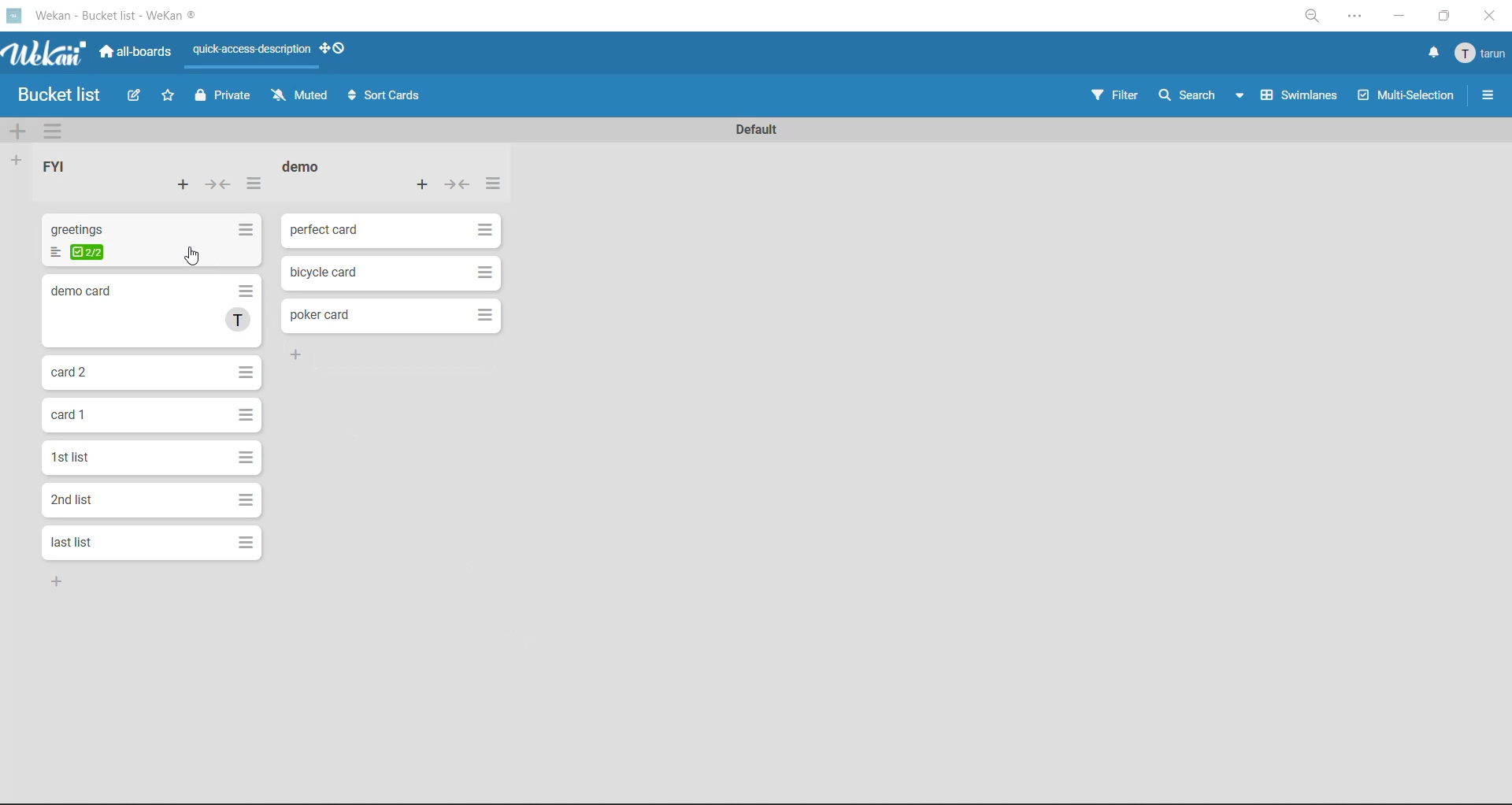 The height and width of the screenshot is (805, 1512). Describe the element at coordinates (492, 185) in the screenshot. I see `list actions` at that location.